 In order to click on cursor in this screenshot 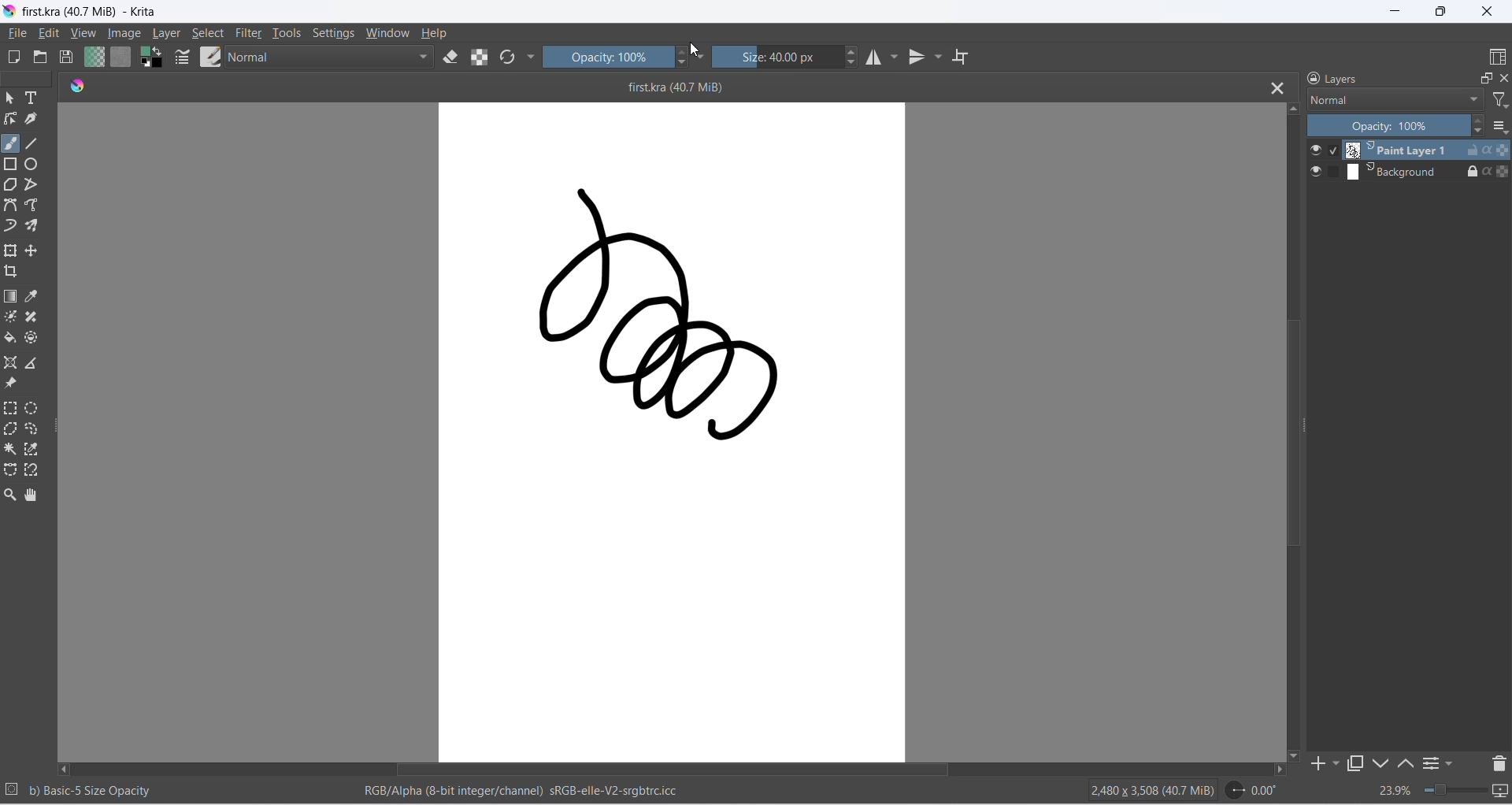, I will do `click(695, 50)`.